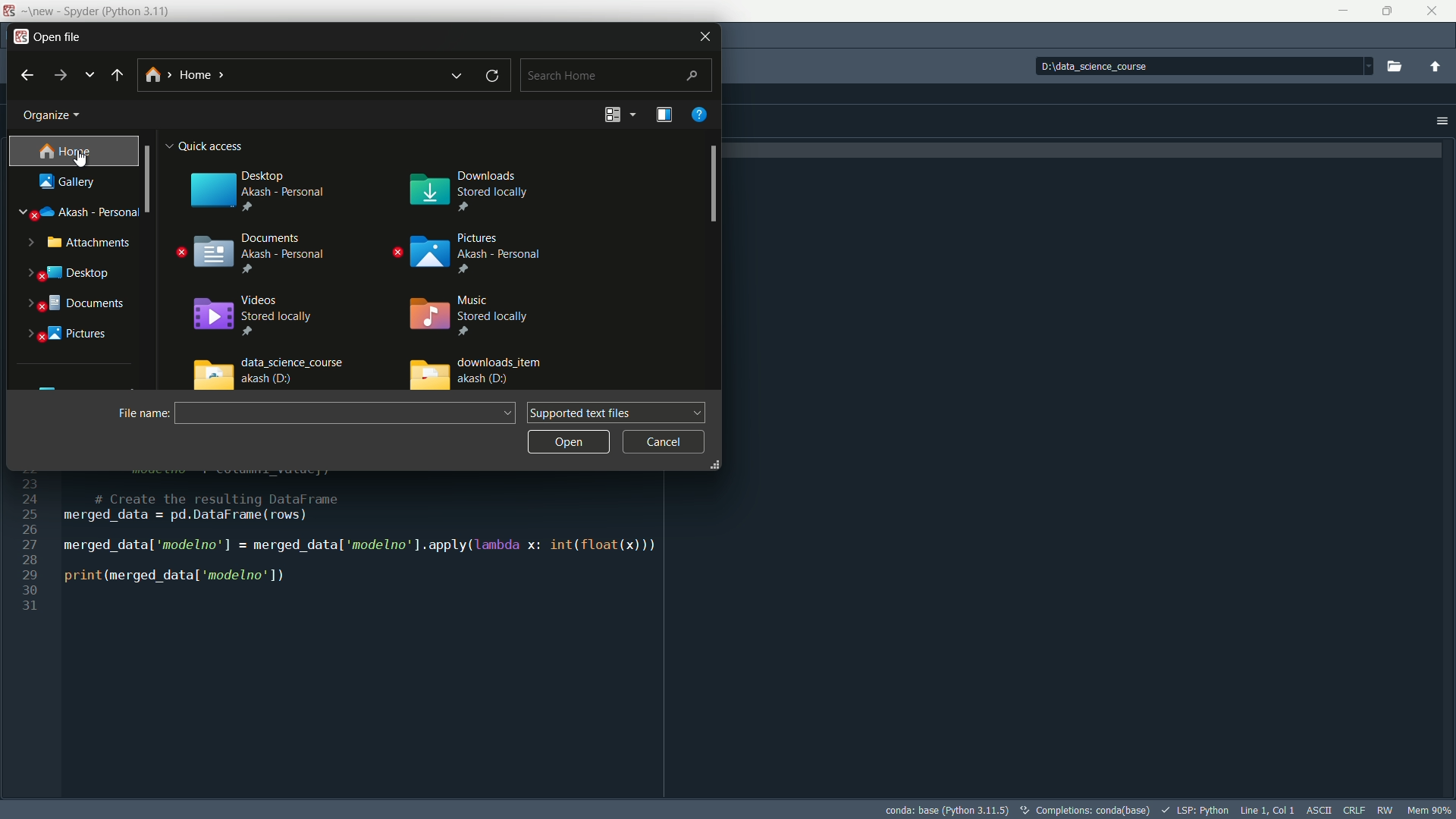 This screenshot has height=819, width=1456. I want to click on line number, so click(31, 544).